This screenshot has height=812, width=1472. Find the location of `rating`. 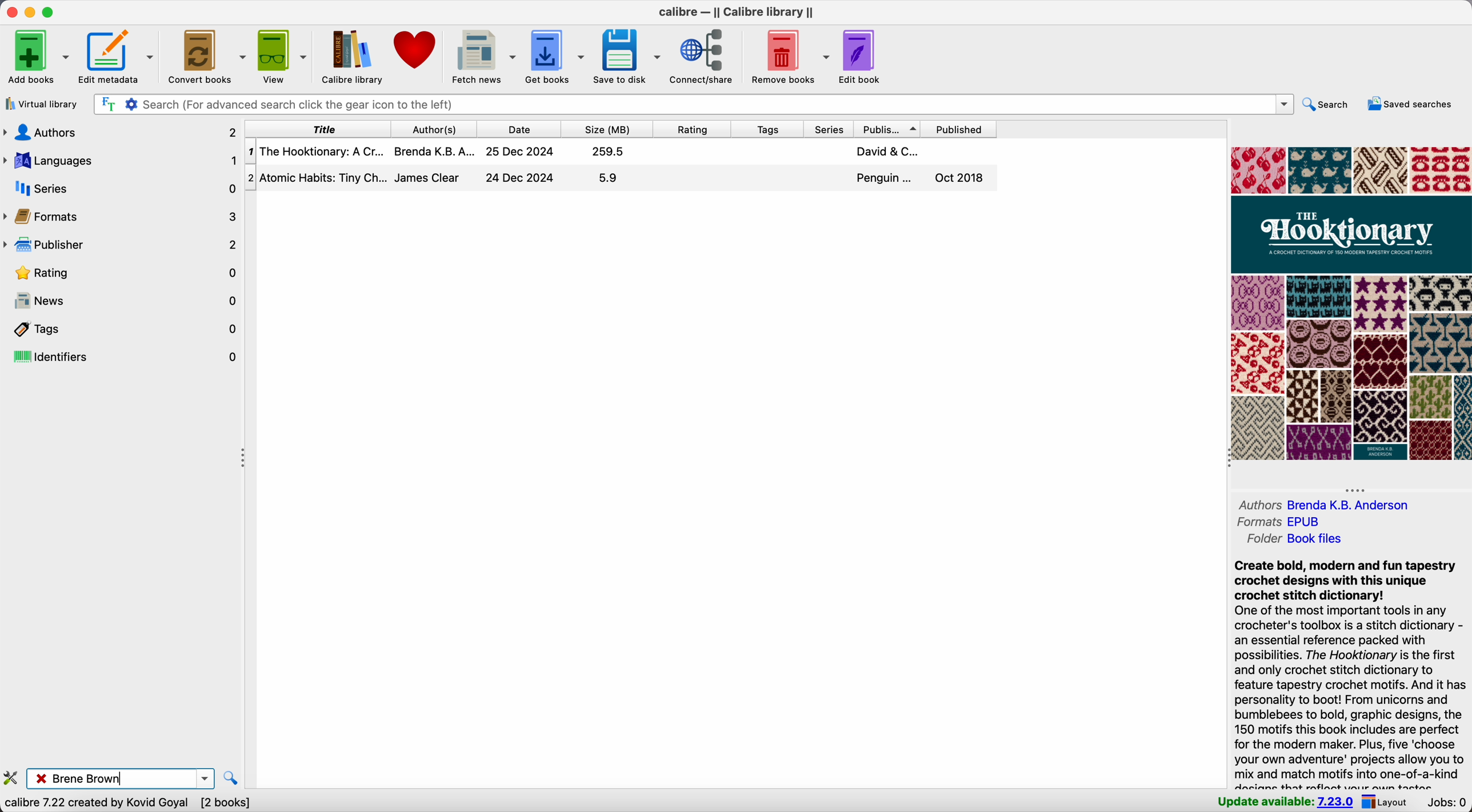

rating is located at coordinates (122, 273).